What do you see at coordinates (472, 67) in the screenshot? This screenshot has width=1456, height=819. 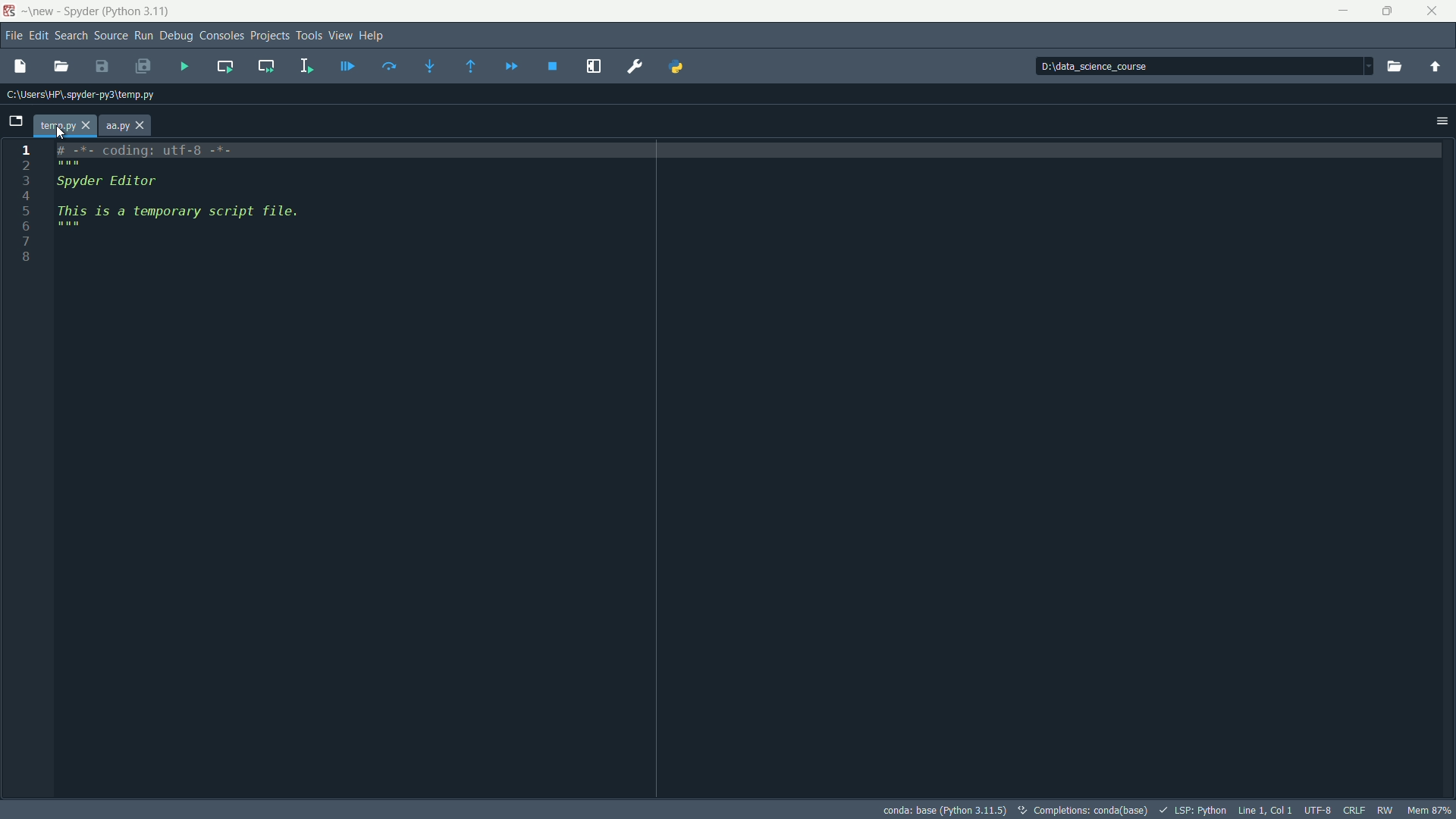 I see `execute until method or funtion return` at bounding box center [472, 67].